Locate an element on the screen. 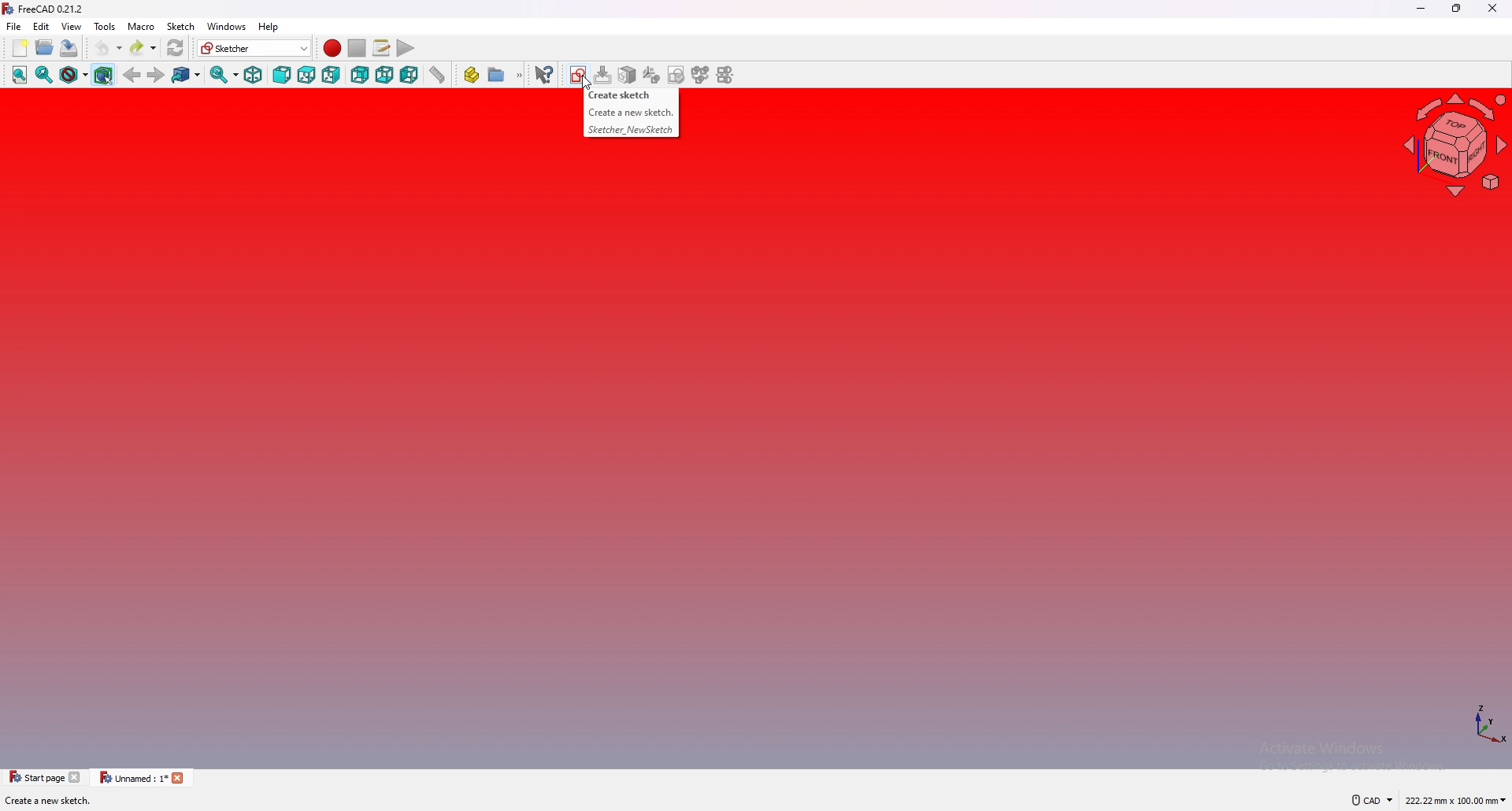 This screenshot has height=811, width=1512. dimensions is located at coordinates (1455, 801).